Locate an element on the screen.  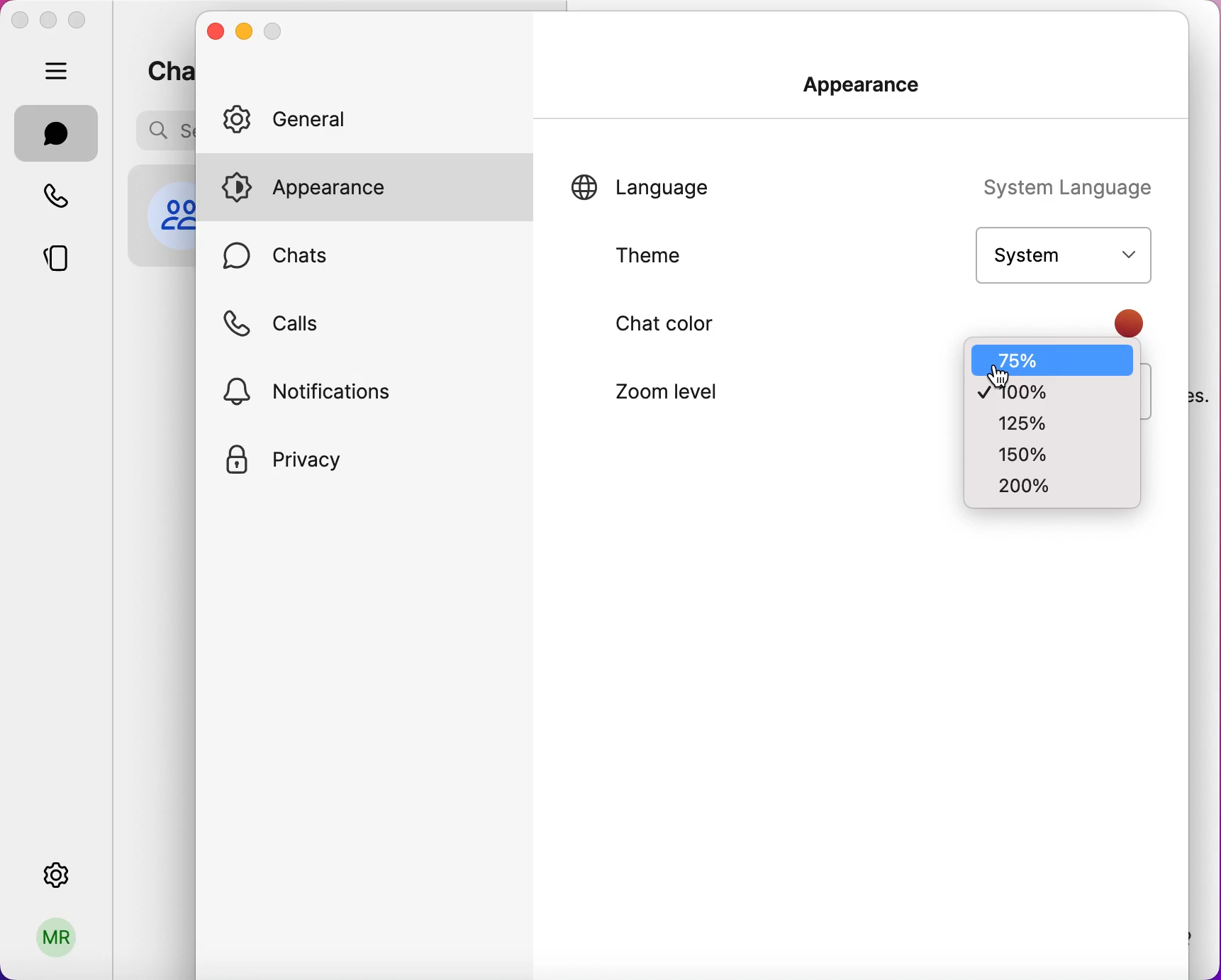
200% is located at coordinates (1045, 484).